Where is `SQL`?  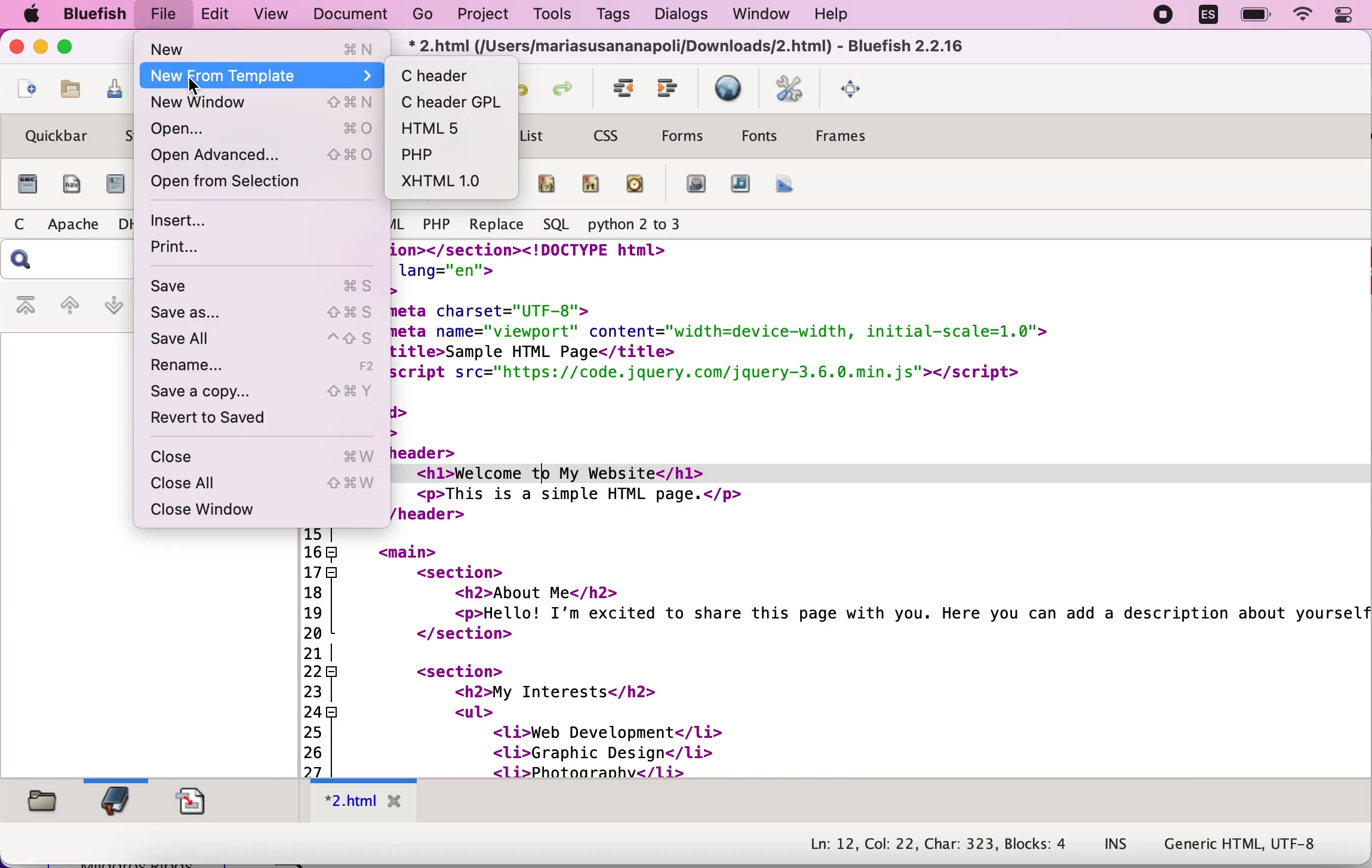
SQL is located at coordinates (556, 224).